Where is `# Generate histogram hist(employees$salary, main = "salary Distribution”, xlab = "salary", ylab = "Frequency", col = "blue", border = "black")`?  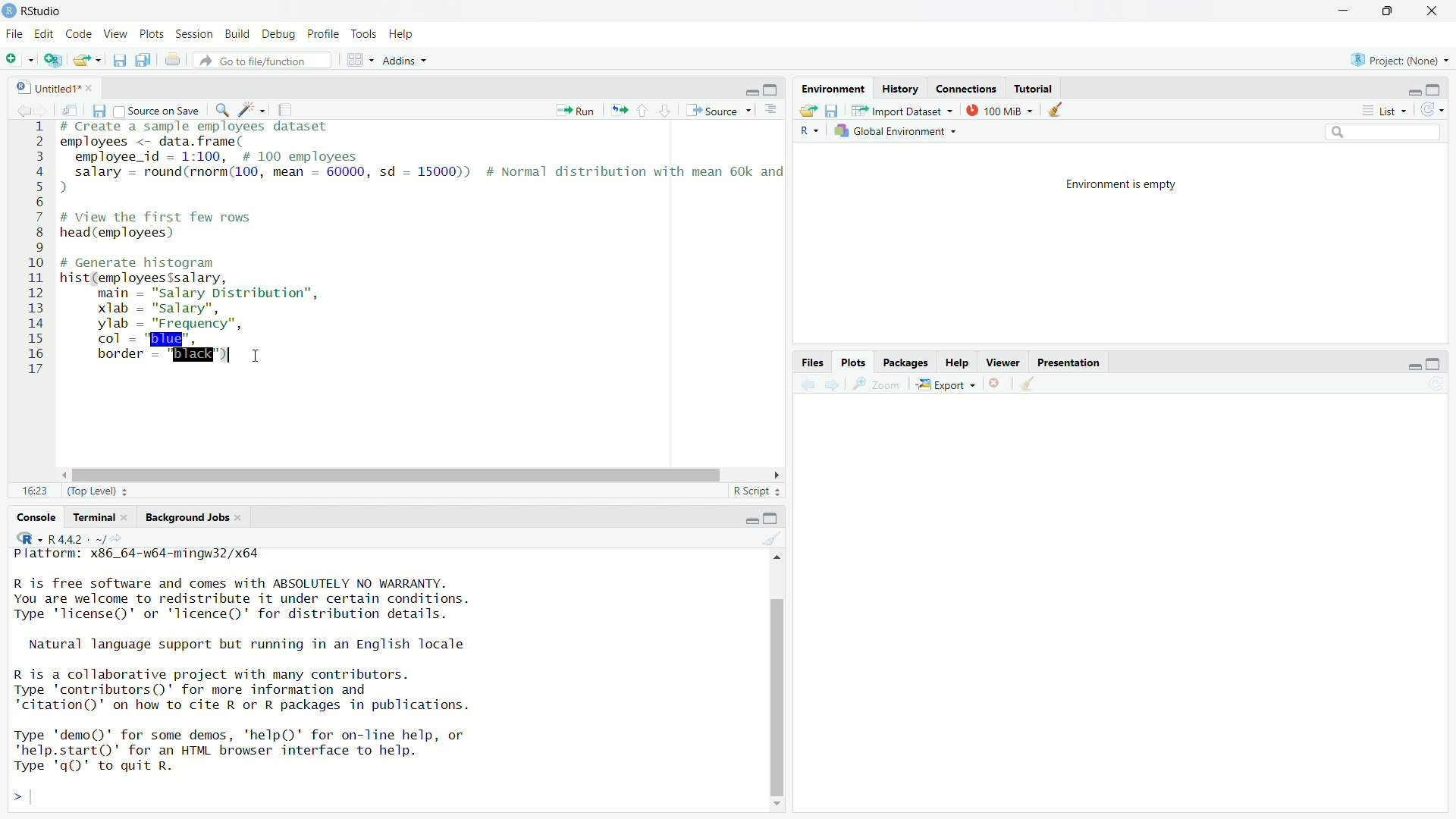 # Generate histogram hist(employees$salary, main = "salary Distribution”, xlab = "salary", ylab = "Frequency", col = "blue", border = "black") is located at coordinates (197, 313).